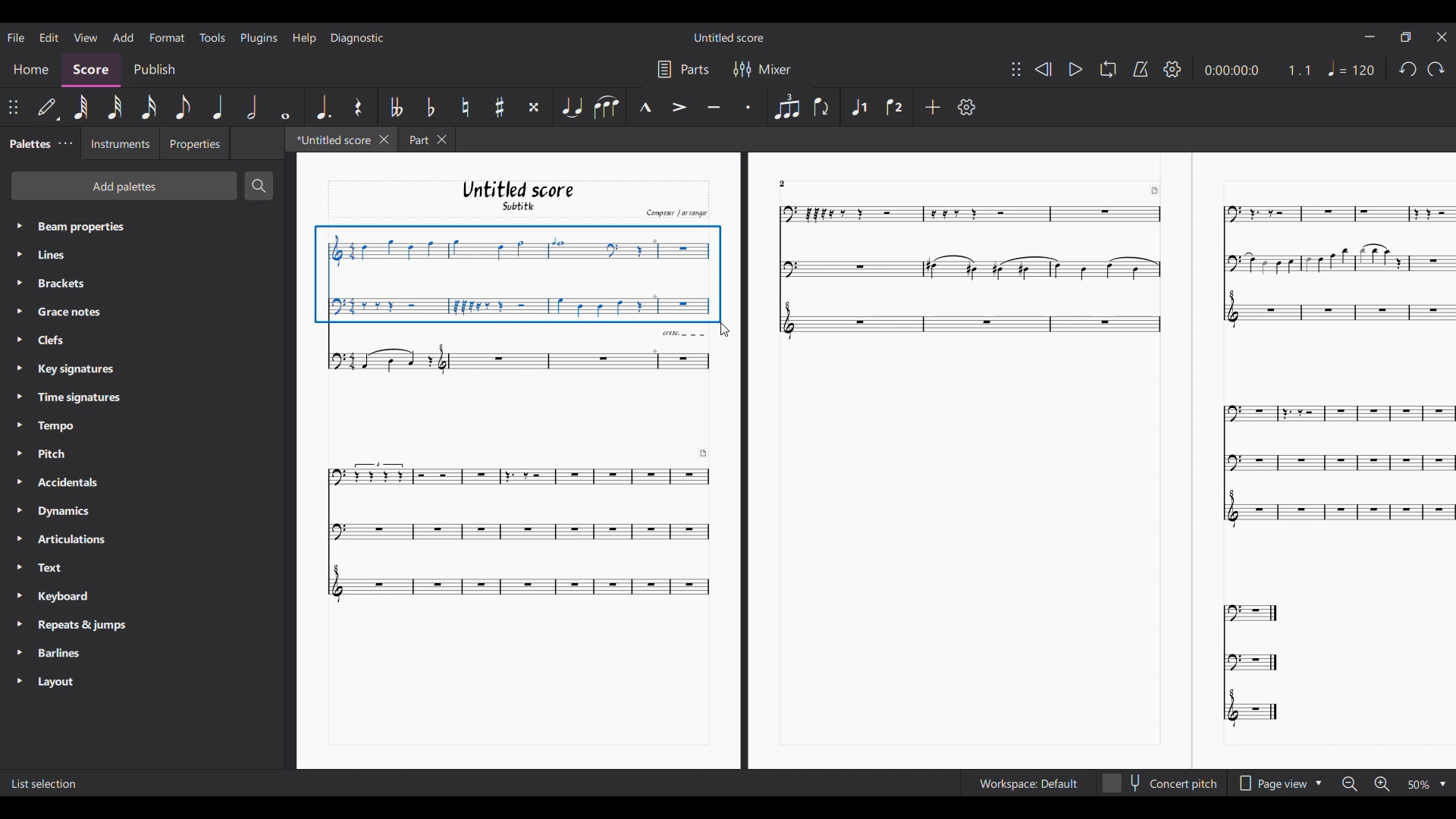  What do you see at coordinates (194, 143) in the screenshot?
I see `Properties` at bounding box center [194, 143].